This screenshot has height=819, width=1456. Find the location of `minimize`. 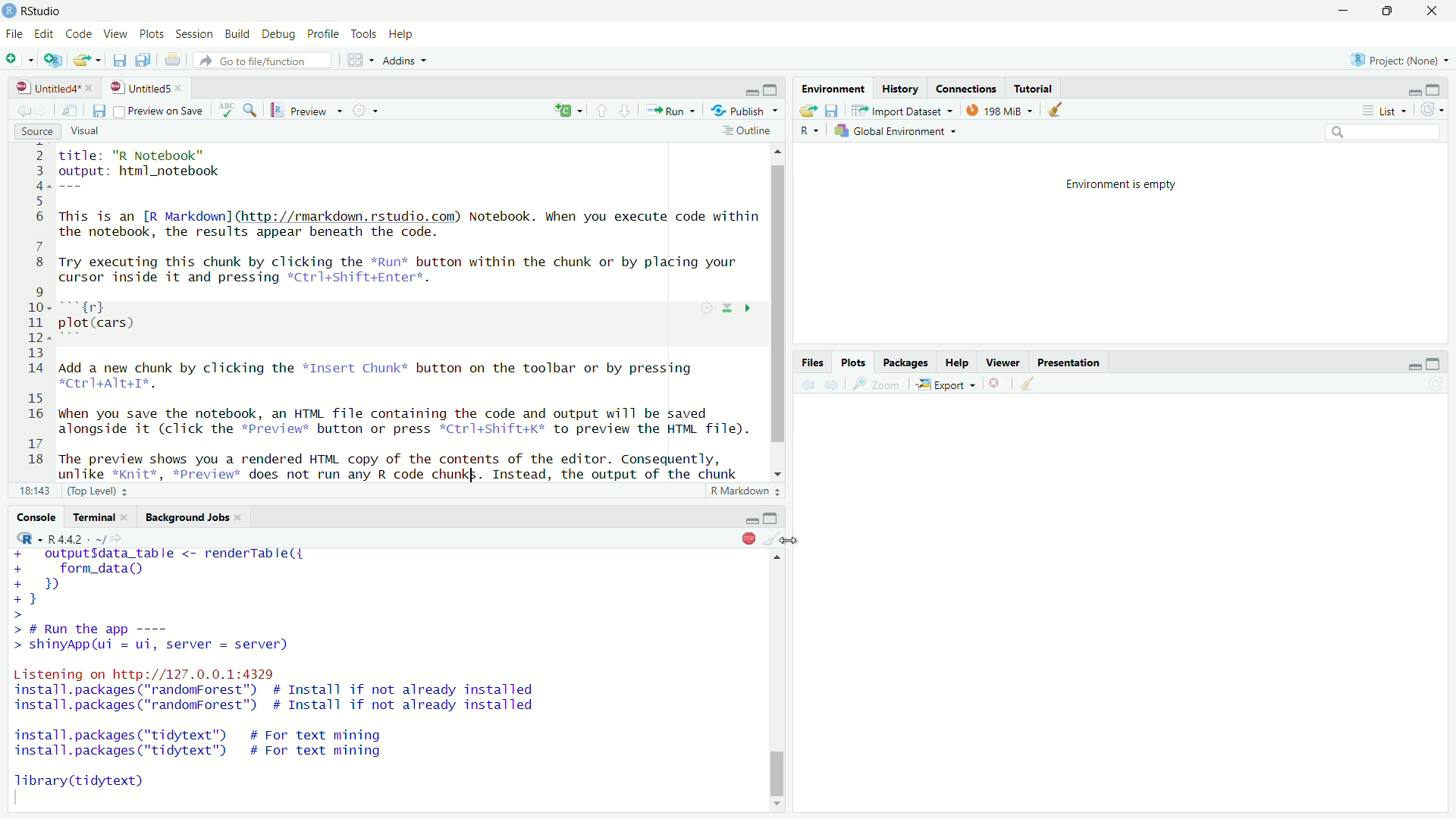

minimize is located at coordinates (1413, 365).